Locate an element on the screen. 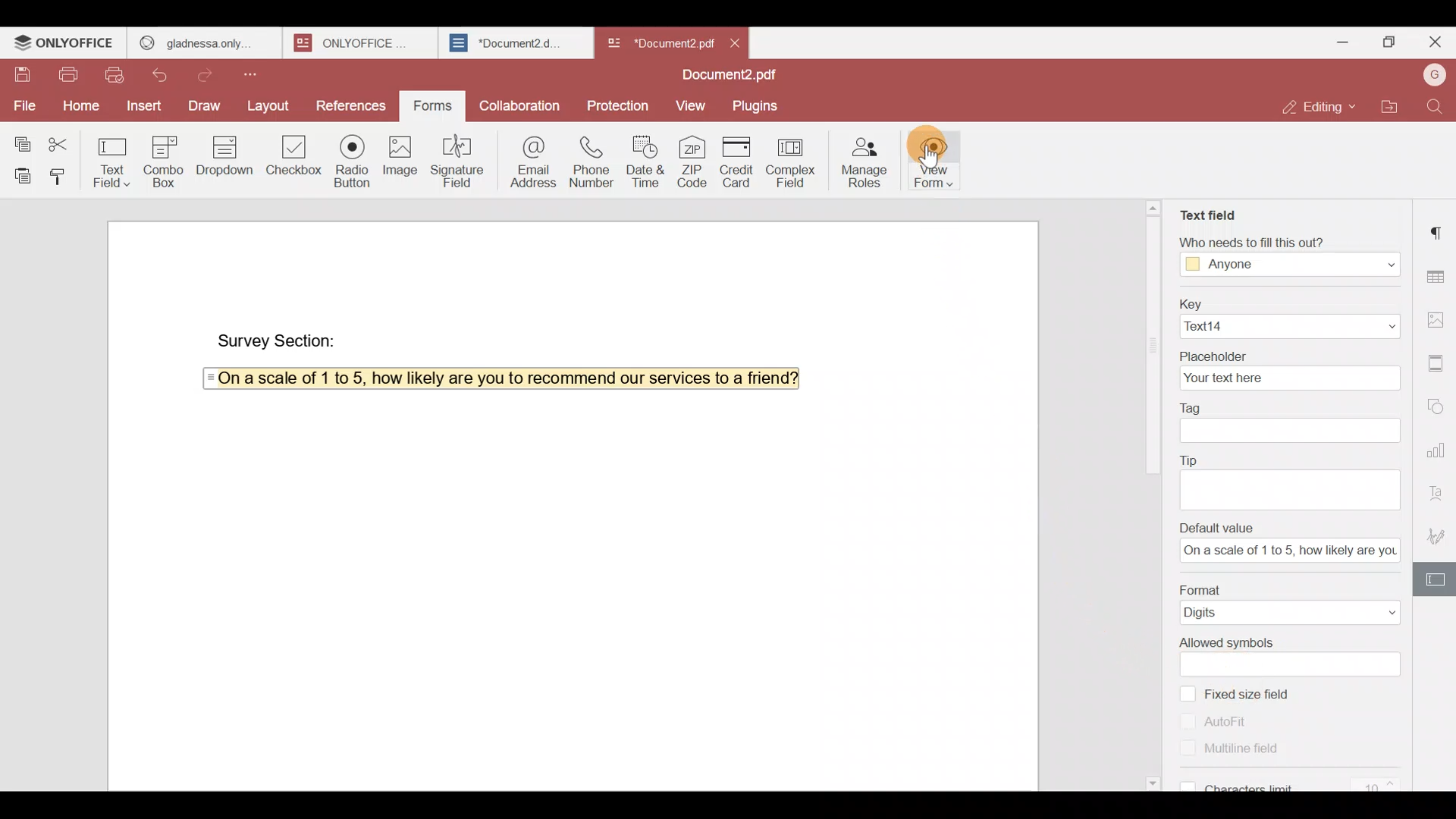 The height and width of the screenshot is (819, 1456). Print file is located at coordinates (63, 71).